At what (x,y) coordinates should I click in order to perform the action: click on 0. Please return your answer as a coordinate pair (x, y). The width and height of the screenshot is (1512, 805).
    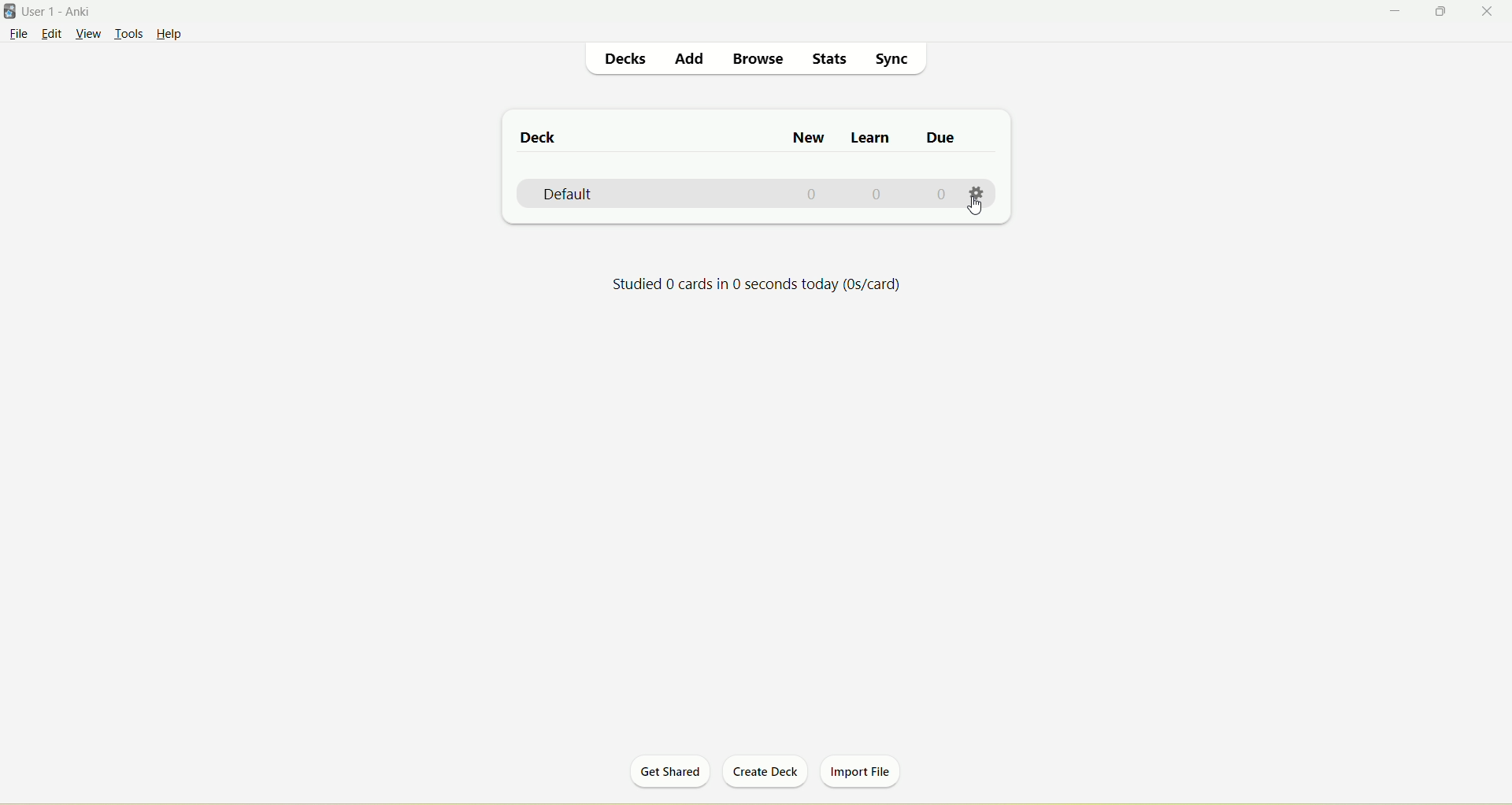
    Looking at the image, I should click on (877, 195).